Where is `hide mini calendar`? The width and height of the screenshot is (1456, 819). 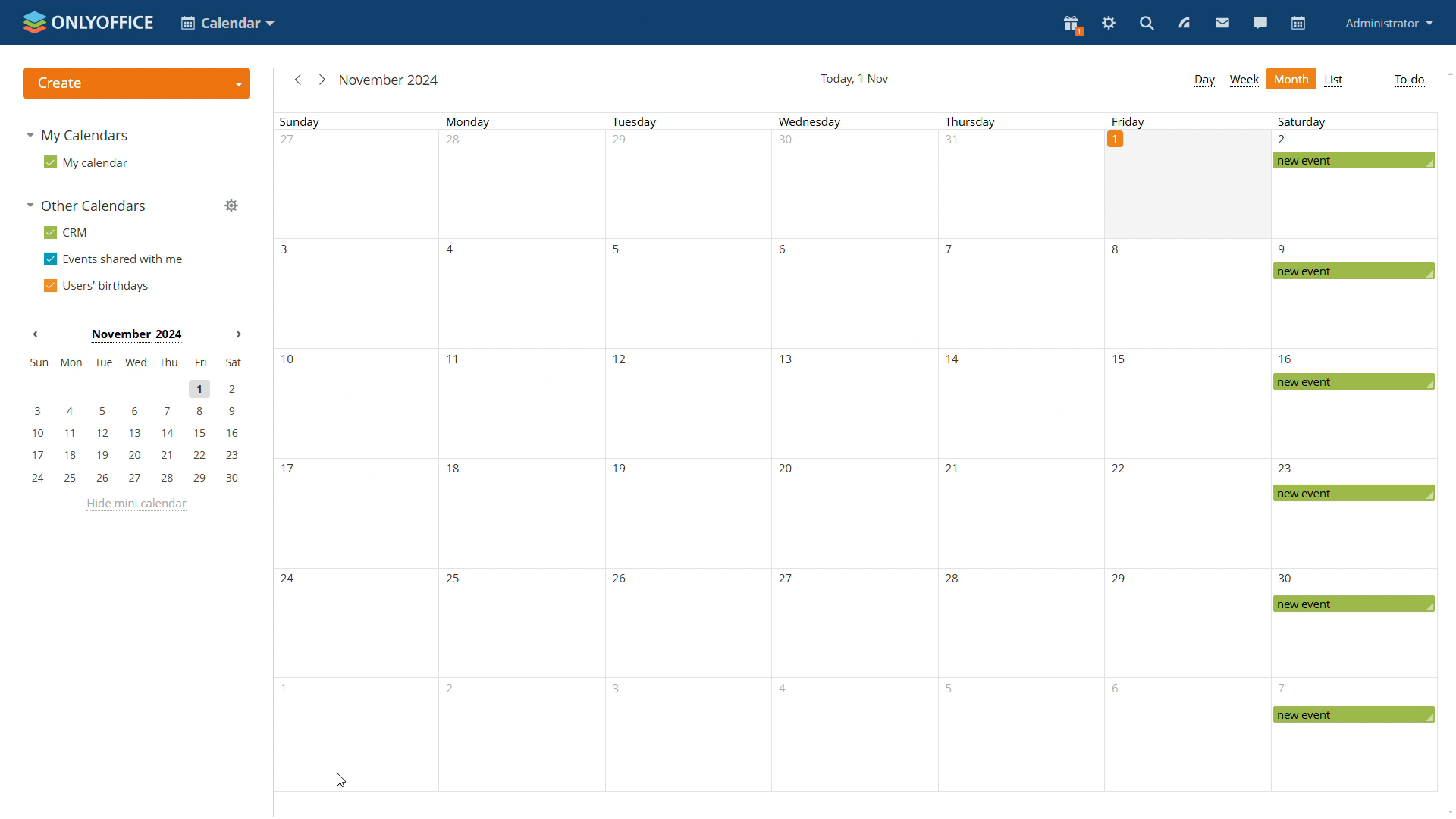
hide mini calendar is located at coordinates (140, 505).